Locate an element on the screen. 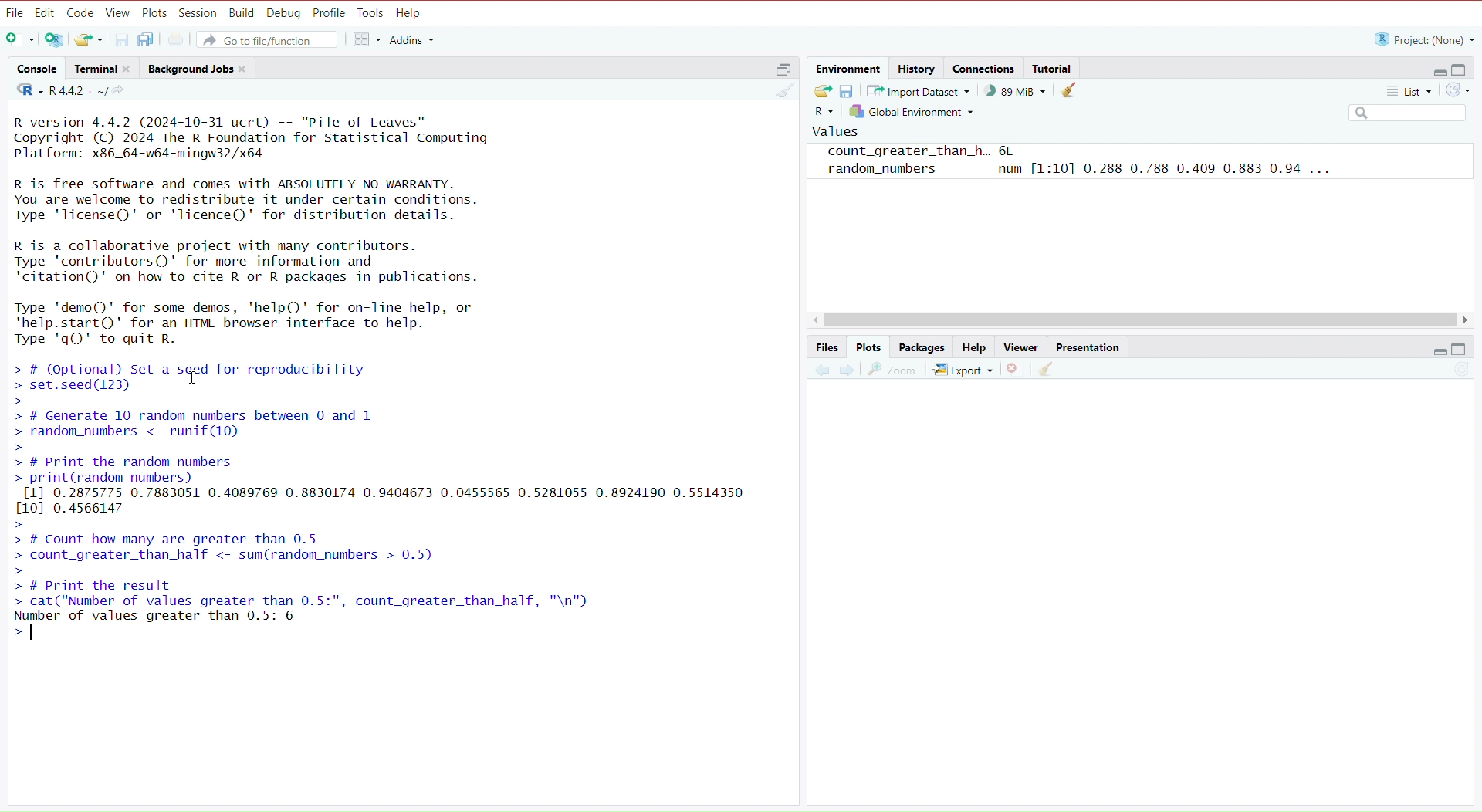 This screenshot has height=812, width=1482. Refresh list is located at coordinates (1460, 369).